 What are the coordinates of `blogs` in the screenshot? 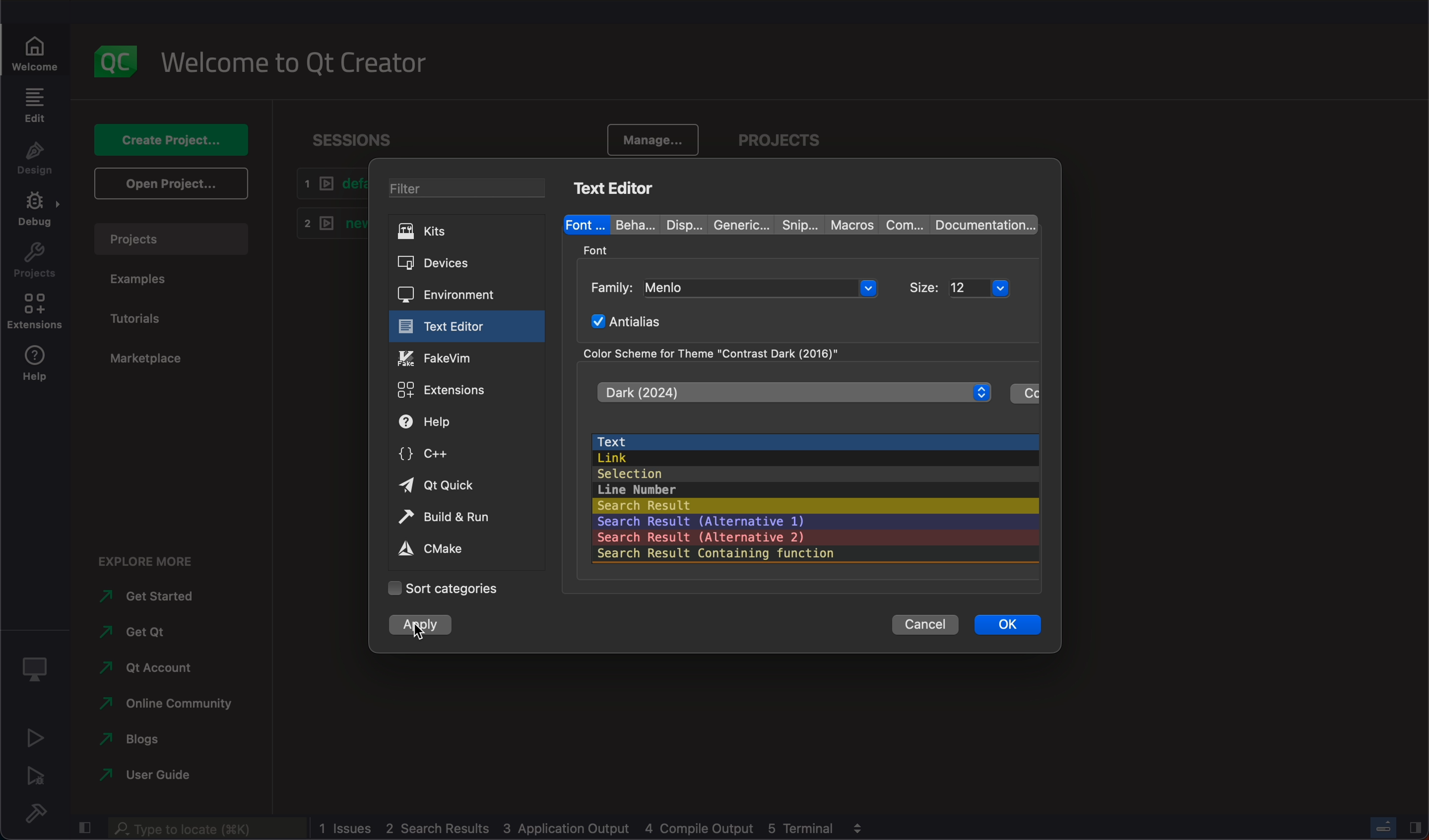 It's located at (130, 740).